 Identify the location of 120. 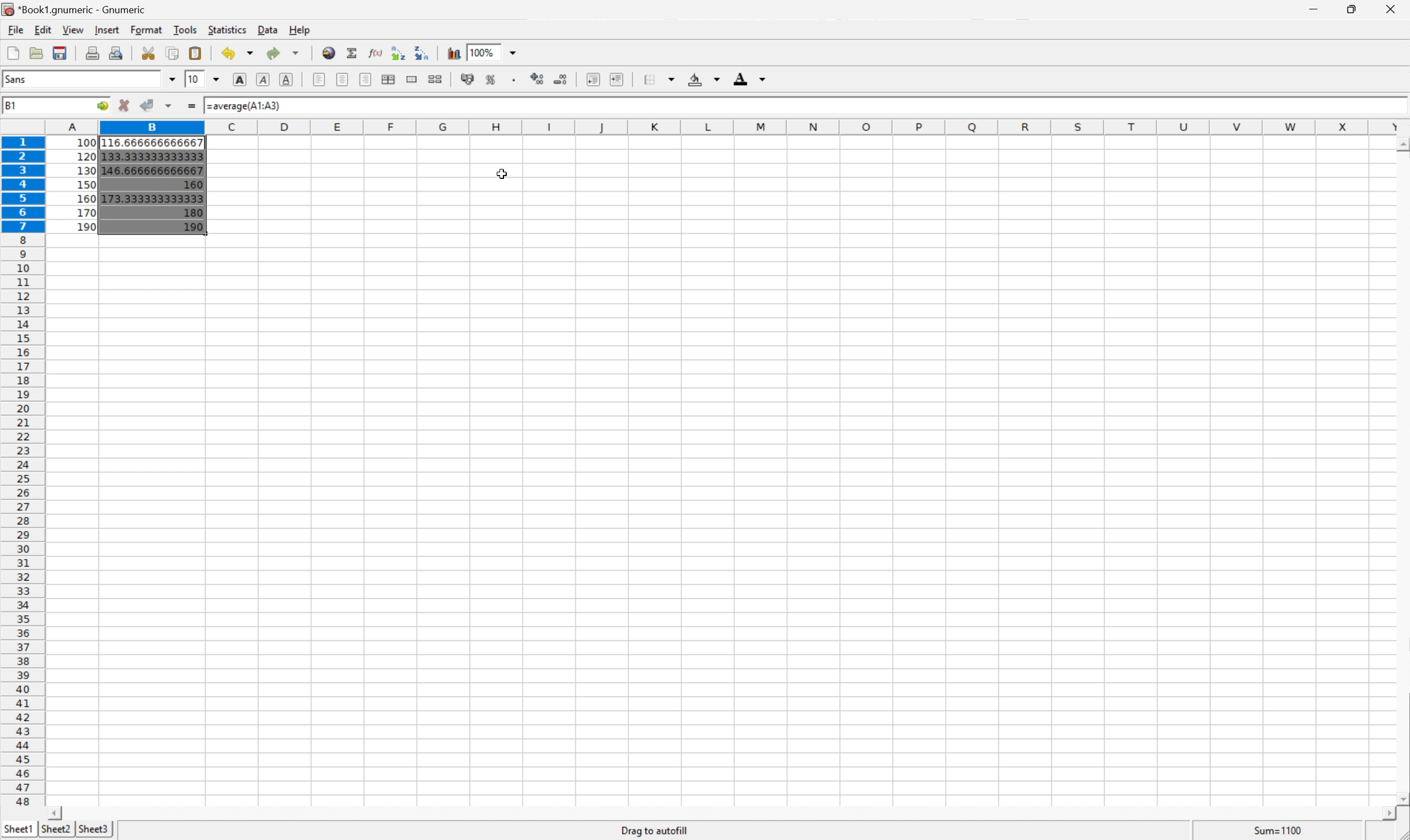
(87, 156).